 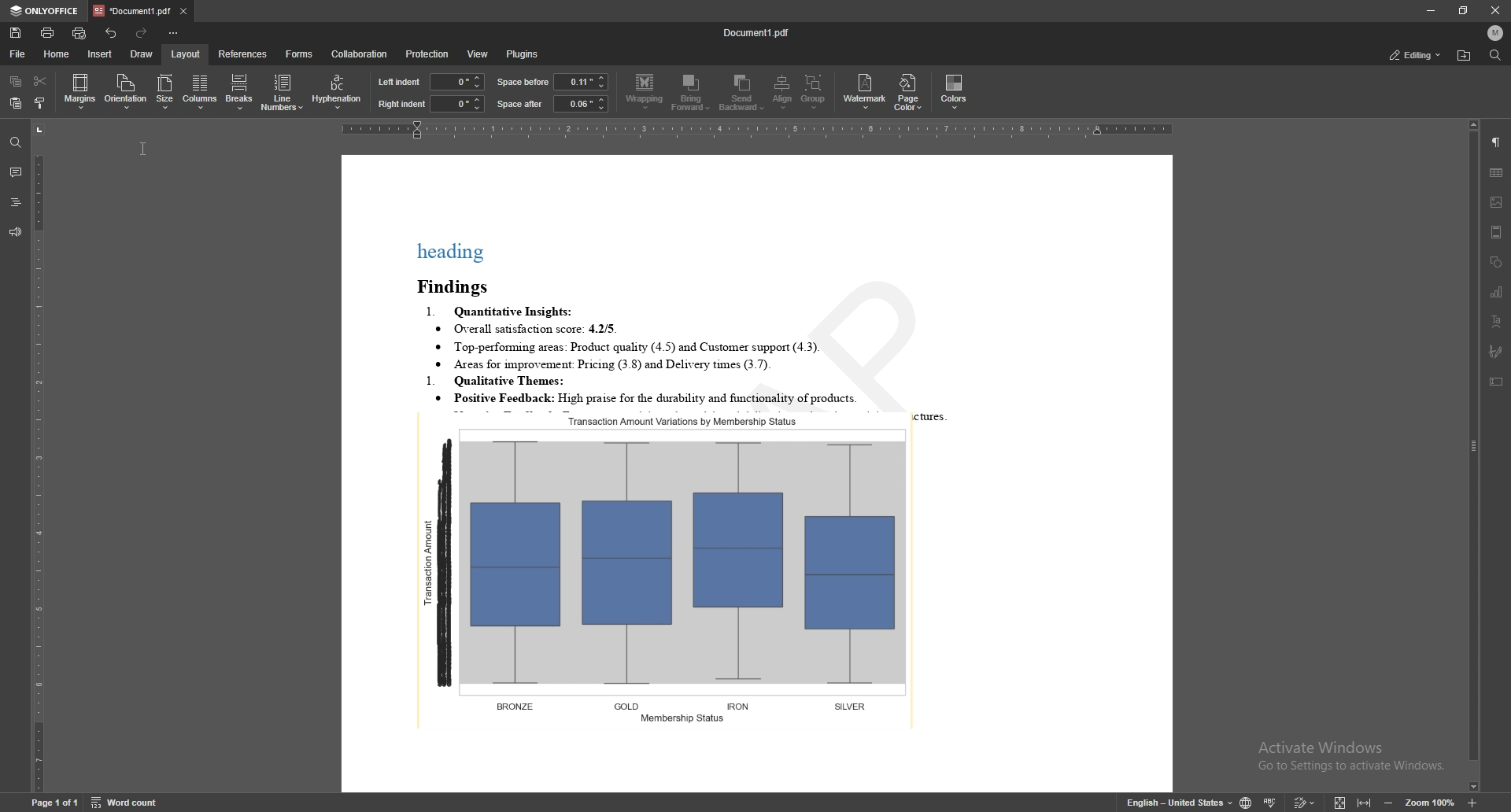 I want to click on paragraph, so click(x=1497, y=142).